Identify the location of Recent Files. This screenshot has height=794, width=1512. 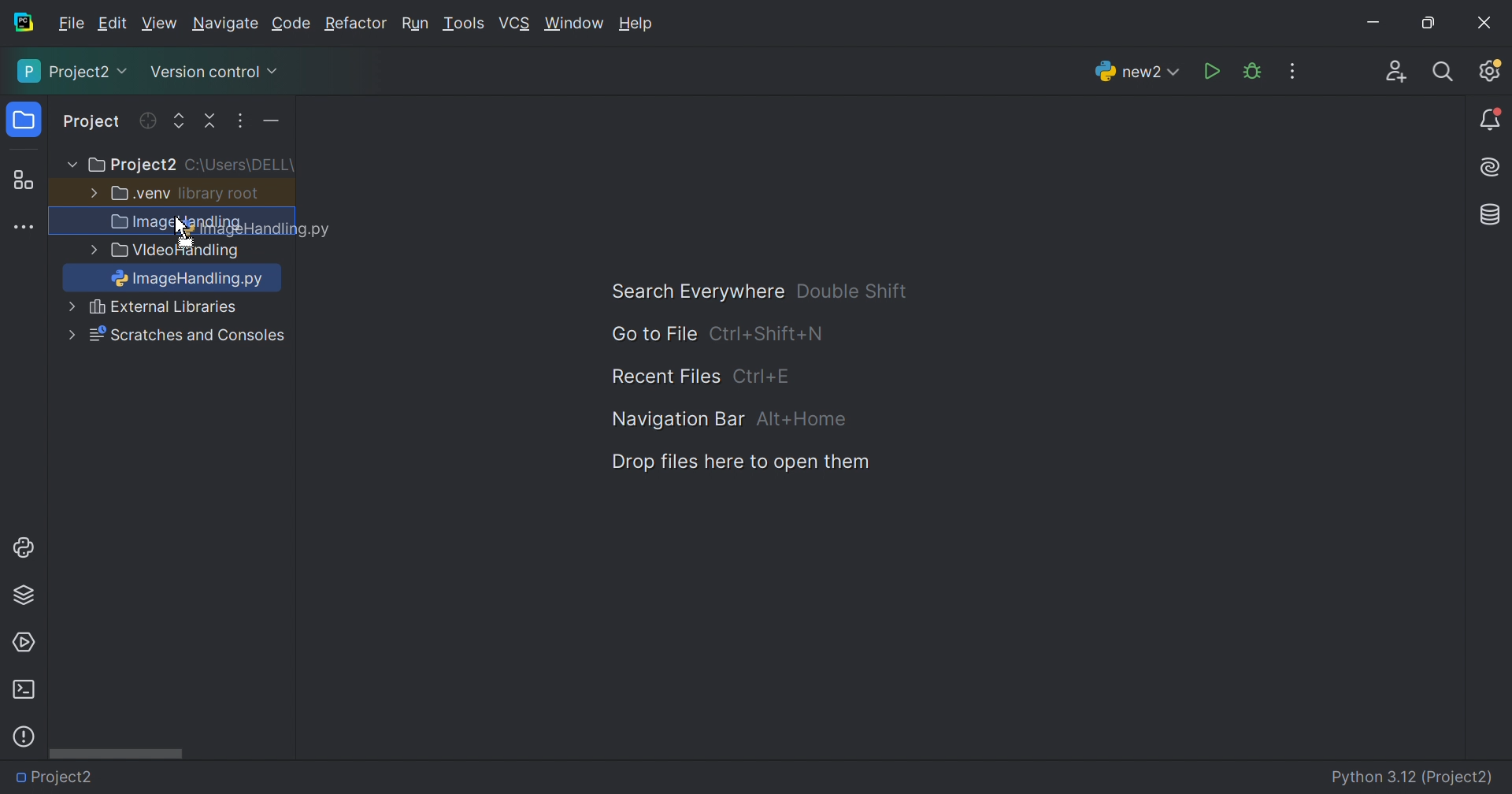
(665, 377).